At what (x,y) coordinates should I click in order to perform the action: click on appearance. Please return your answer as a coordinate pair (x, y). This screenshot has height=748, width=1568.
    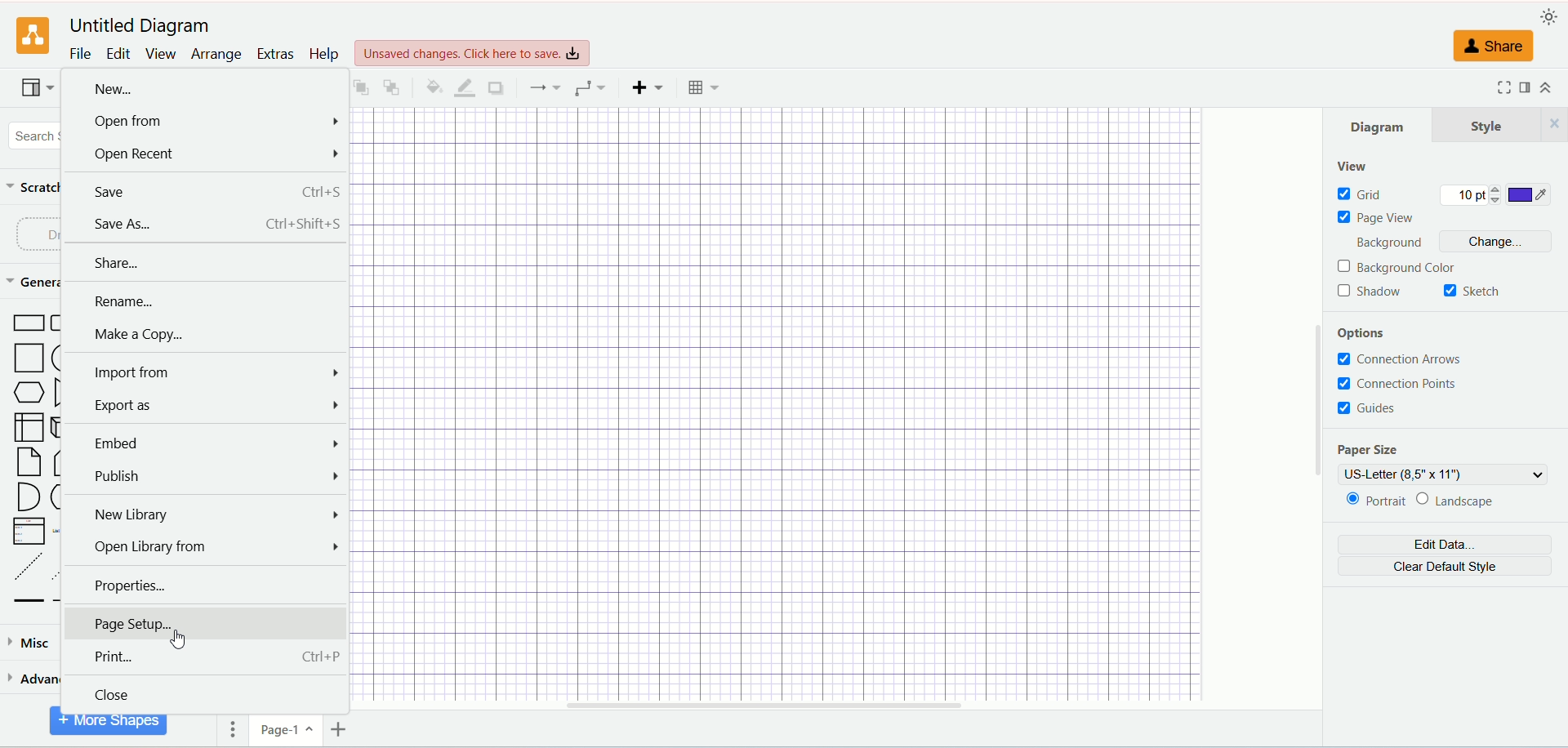
    Looking at the image, I should click on (1550, 17).